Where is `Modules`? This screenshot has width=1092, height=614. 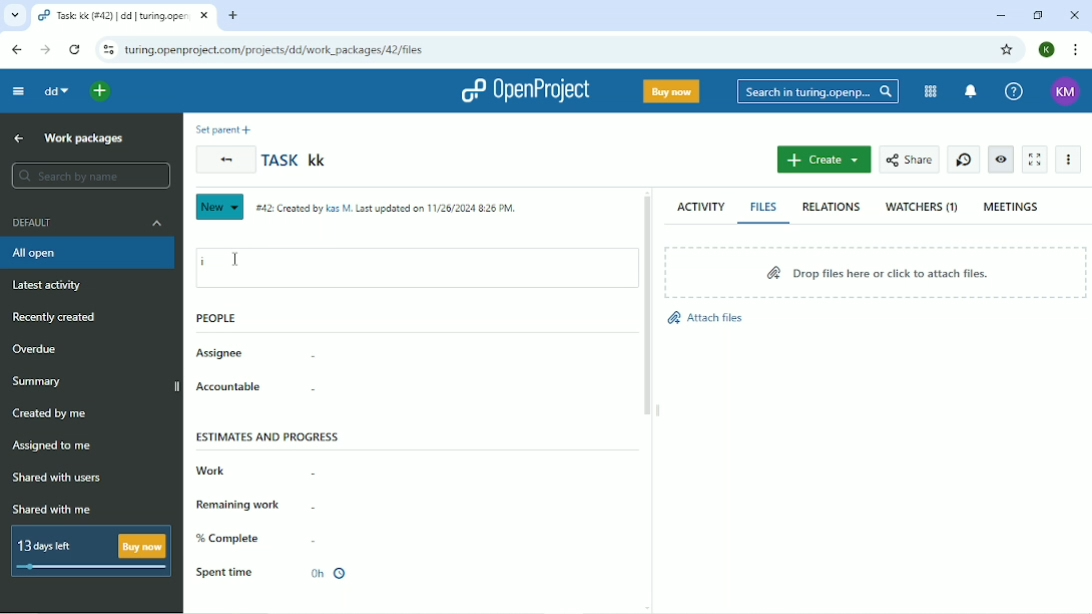
Modules is located at coordinates (930, 91).